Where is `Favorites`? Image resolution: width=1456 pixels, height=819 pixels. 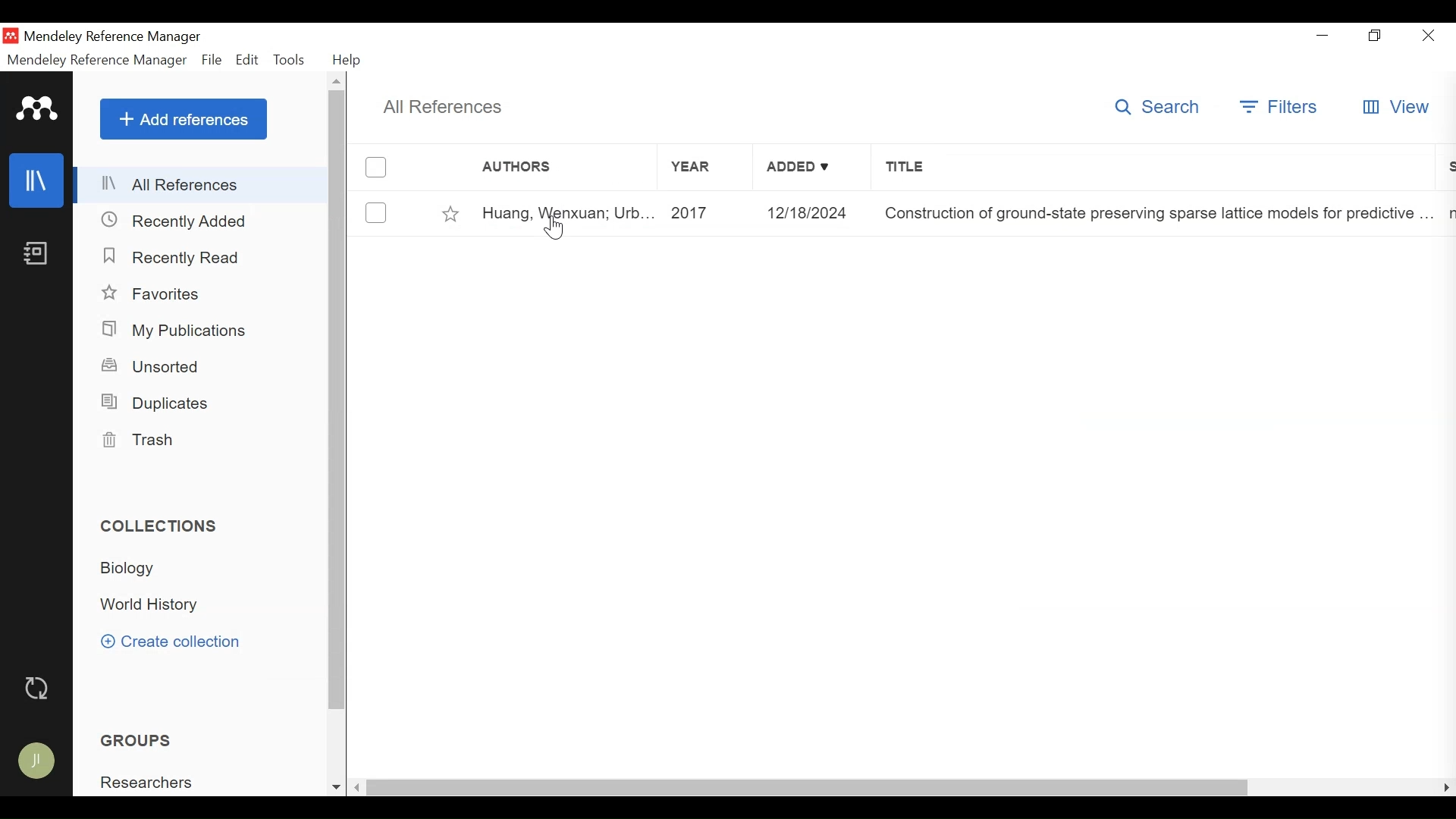 Favorites is located at coordinates (452, 214).